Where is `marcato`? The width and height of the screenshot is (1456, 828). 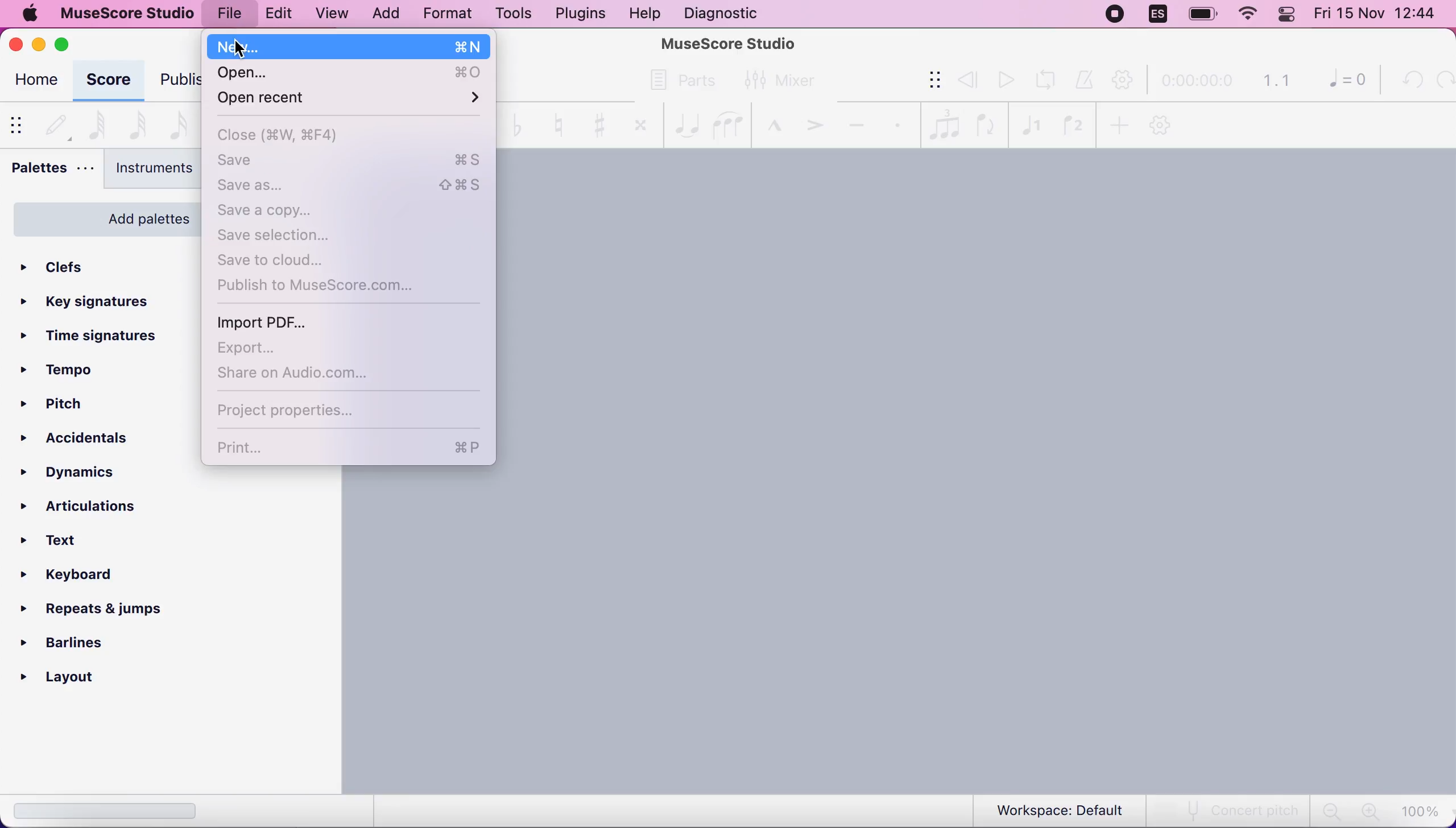 marcato is located at coordinates (772, 121).